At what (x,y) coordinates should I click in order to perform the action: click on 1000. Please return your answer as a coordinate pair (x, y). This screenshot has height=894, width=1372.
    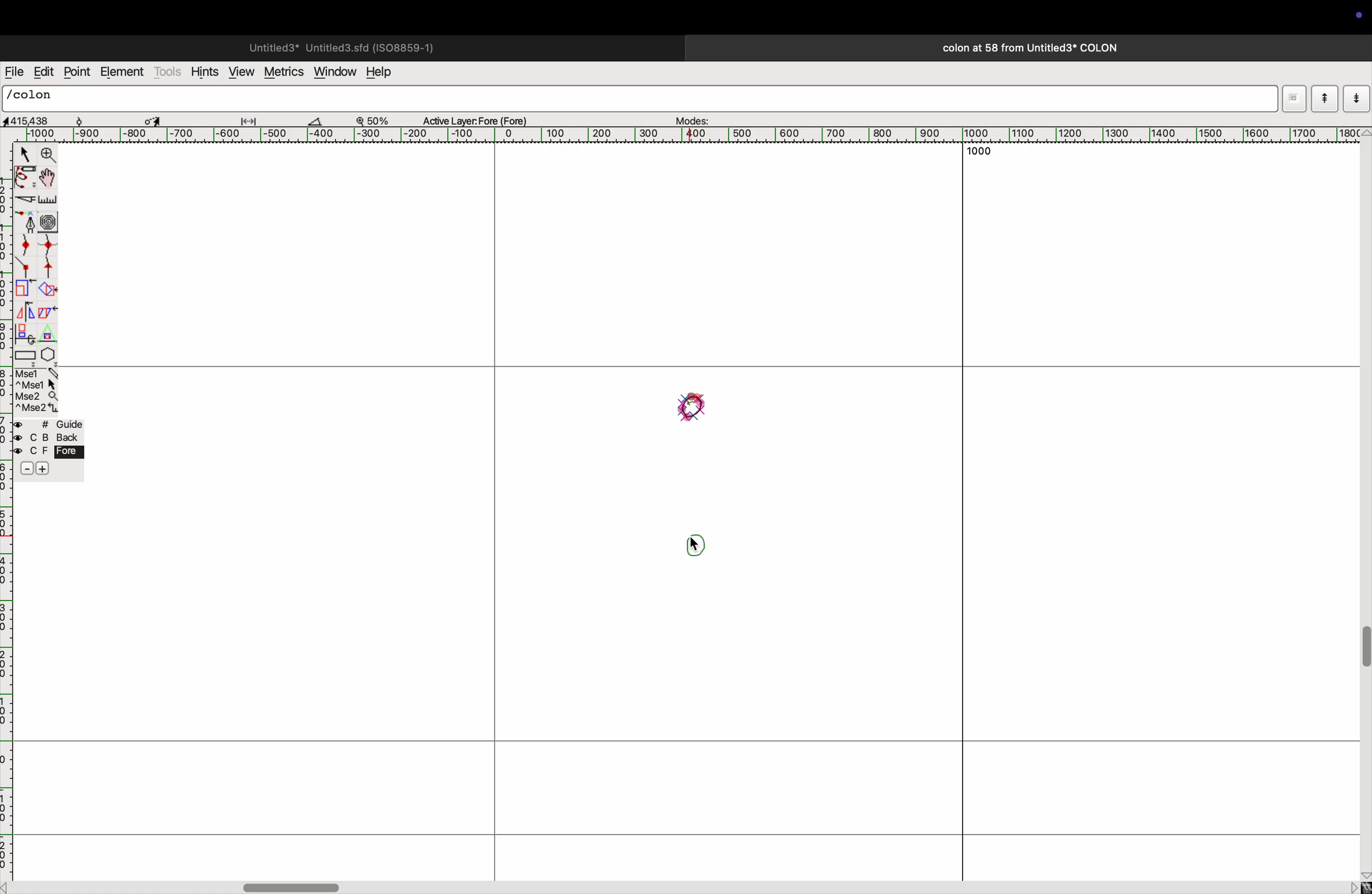
    Looking at the image, I should click on (982, 150).